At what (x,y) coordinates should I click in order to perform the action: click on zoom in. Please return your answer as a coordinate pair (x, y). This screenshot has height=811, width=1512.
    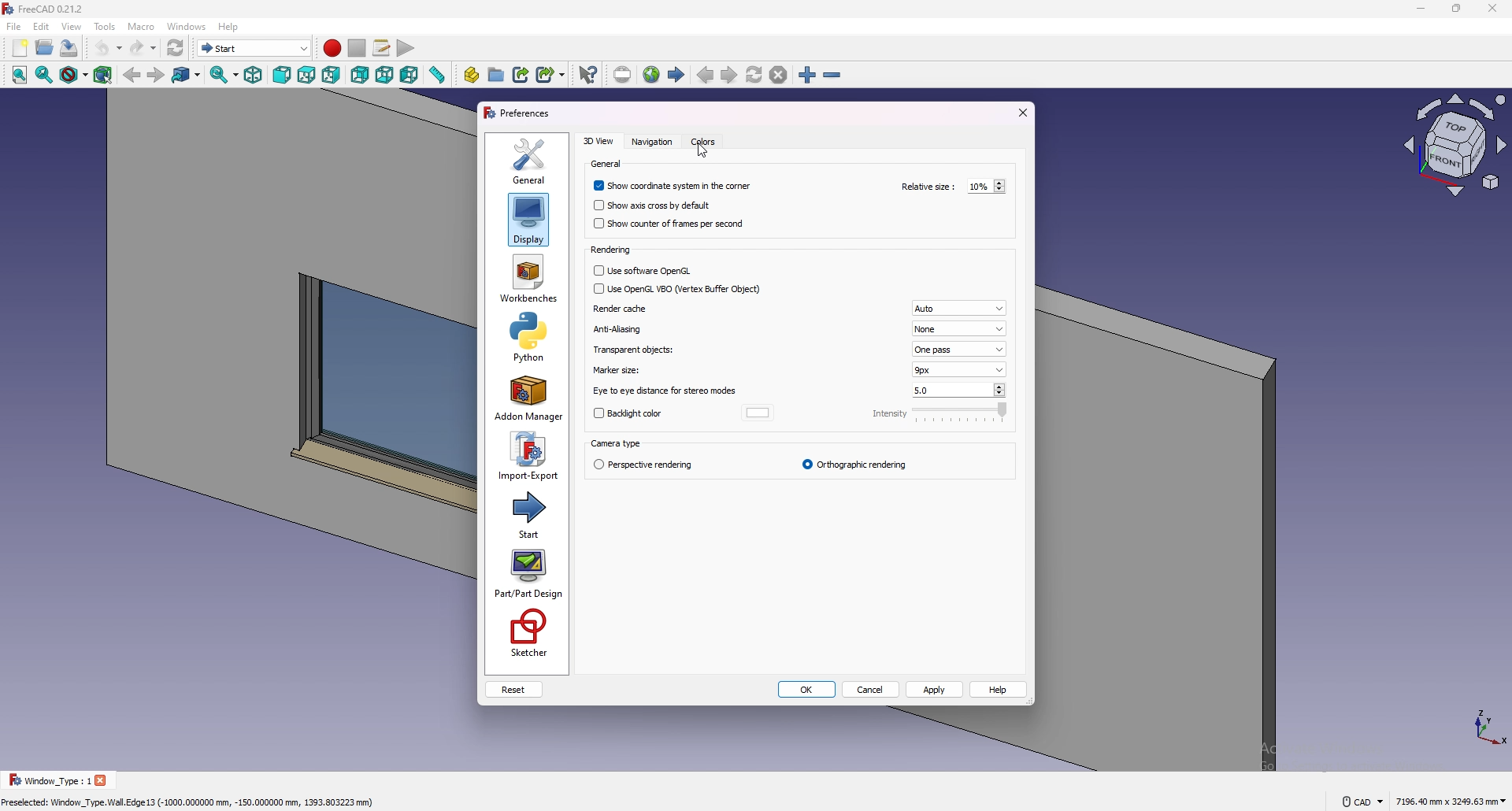
    Looking at the image, I should click on (807, 76).